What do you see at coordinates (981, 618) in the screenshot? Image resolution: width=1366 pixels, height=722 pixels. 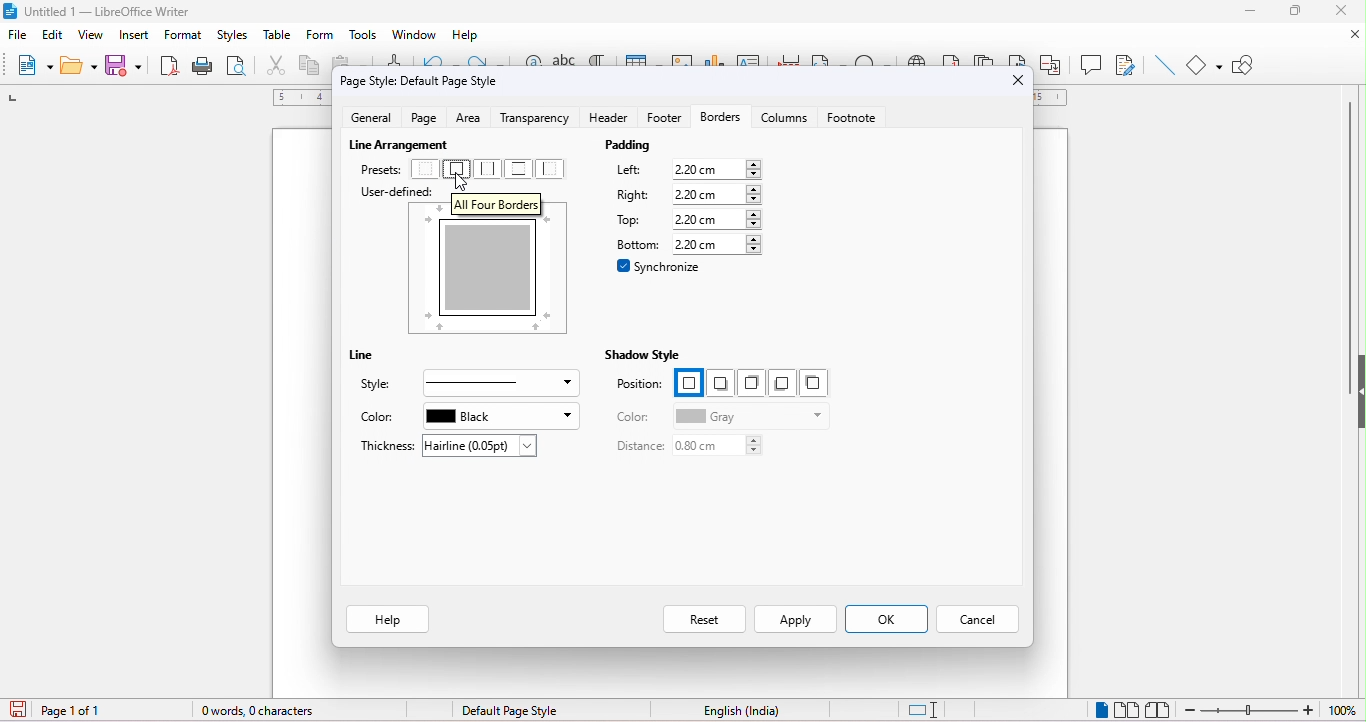 I see `cancel` at bounding box center [981, 618].